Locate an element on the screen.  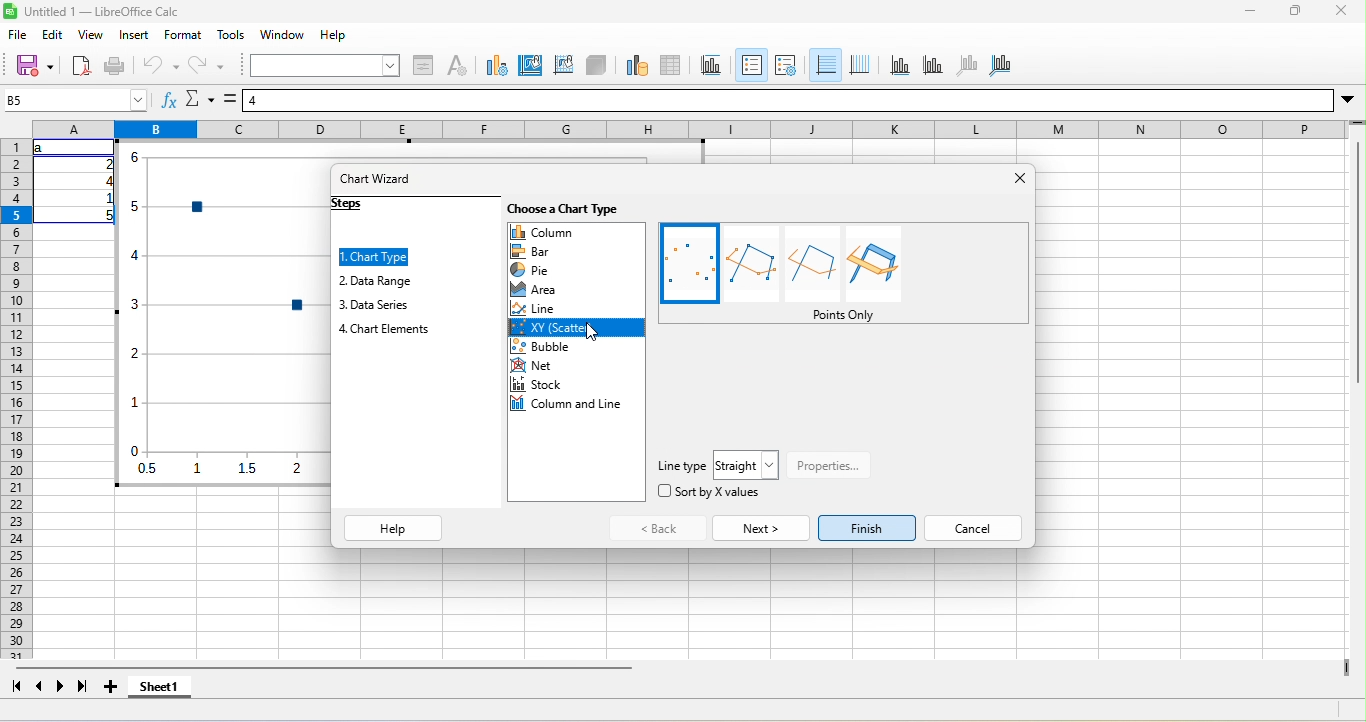
chart wizard is located at coordinates (376, 178).